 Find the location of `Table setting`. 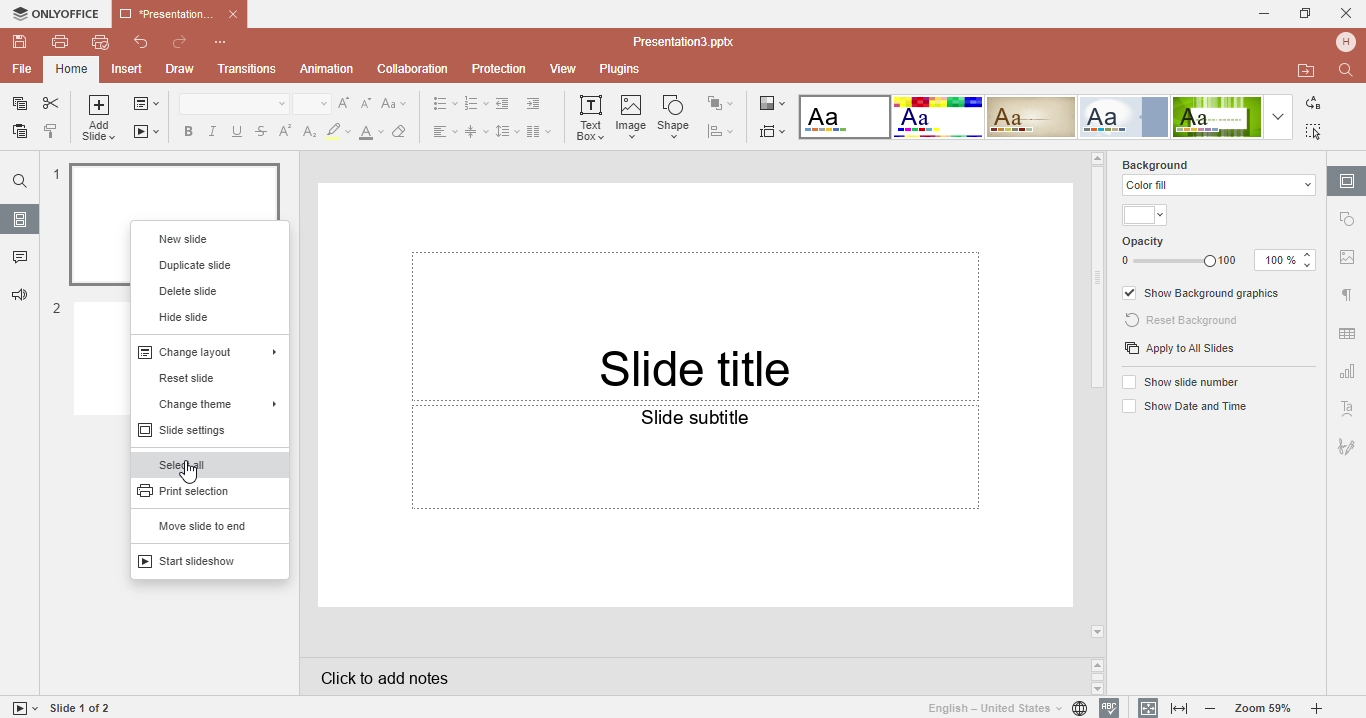

Table setting is located at coordinates (1348, 330).